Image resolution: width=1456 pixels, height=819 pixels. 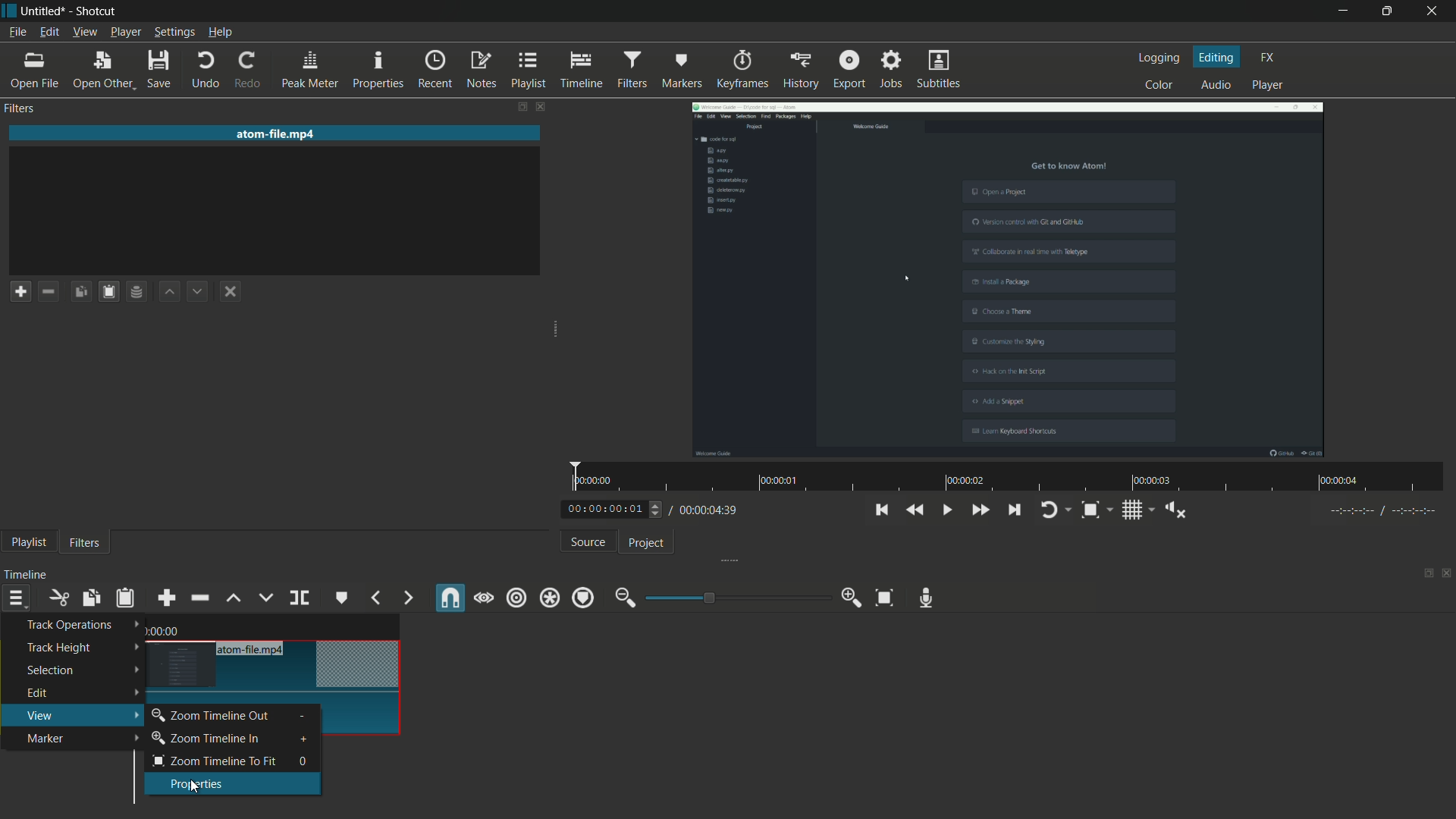 I want to click on playlist, so click(x=529, y=70).